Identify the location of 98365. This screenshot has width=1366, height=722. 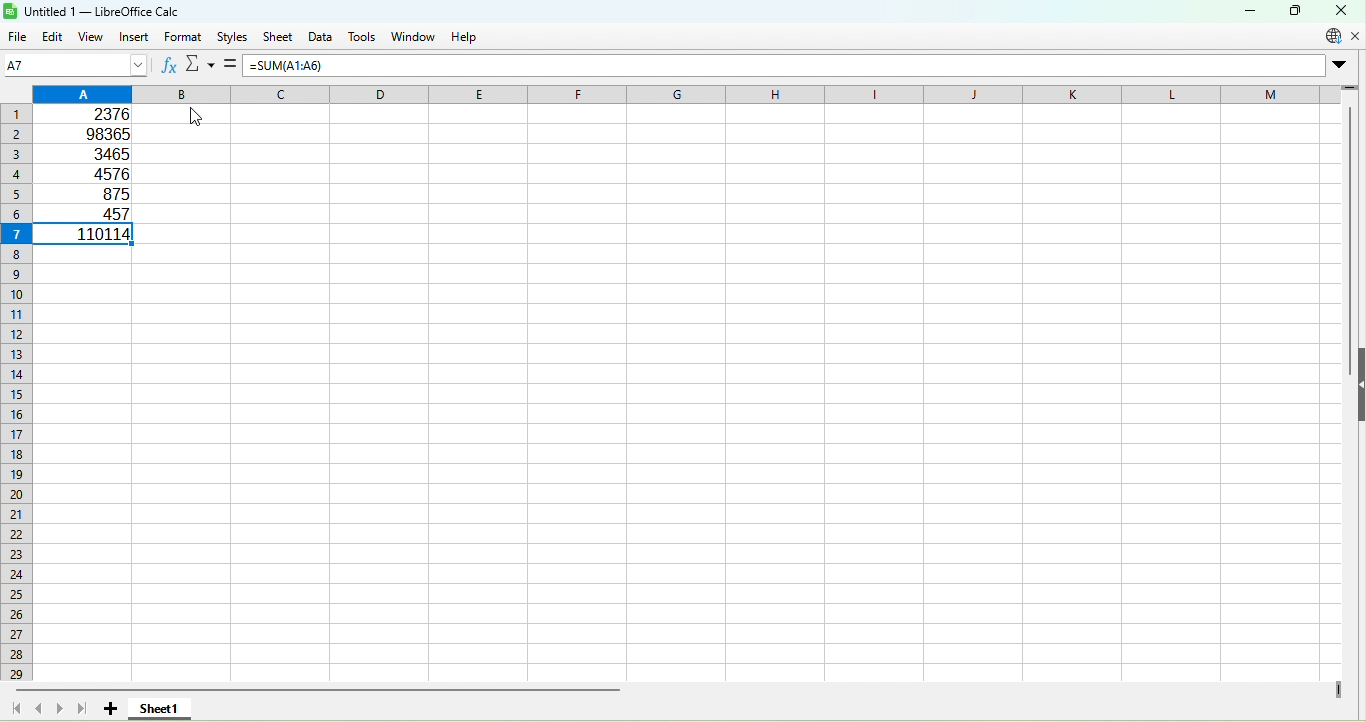
(100, 133).